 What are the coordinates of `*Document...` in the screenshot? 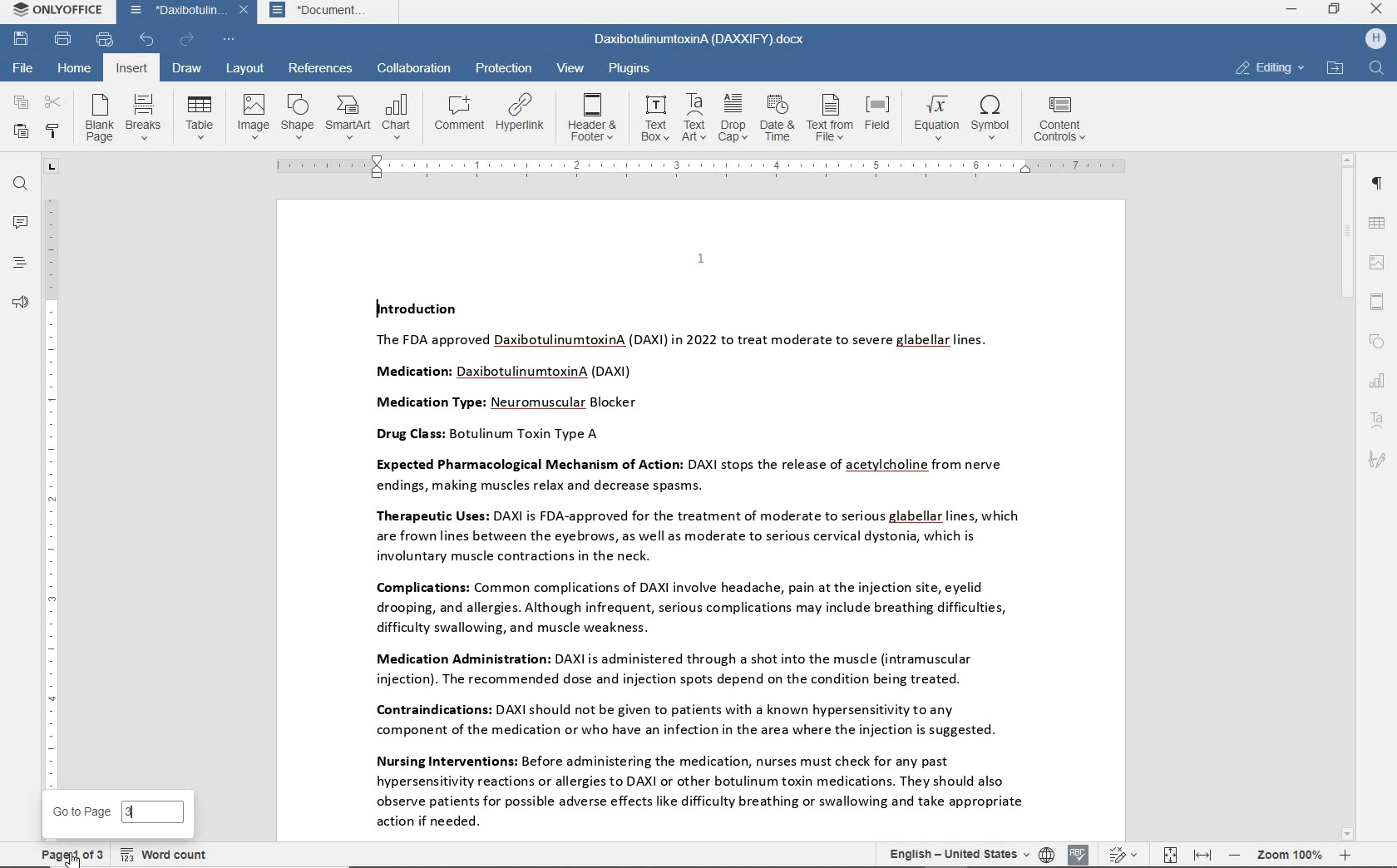 It's located at (326, 13).